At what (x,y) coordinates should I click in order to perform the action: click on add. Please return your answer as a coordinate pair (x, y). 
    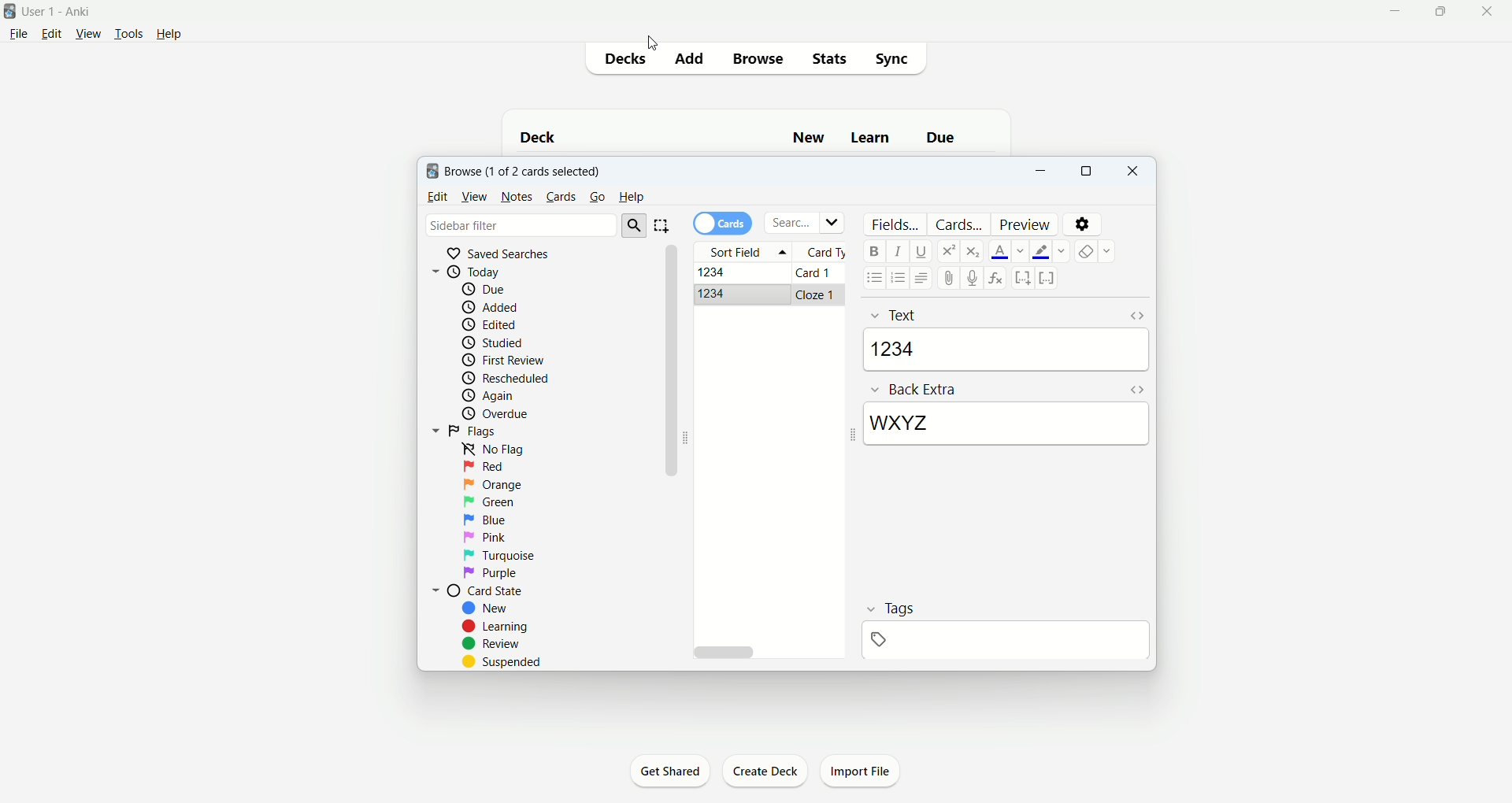
    Looking at the image, I should click on (691, 60).